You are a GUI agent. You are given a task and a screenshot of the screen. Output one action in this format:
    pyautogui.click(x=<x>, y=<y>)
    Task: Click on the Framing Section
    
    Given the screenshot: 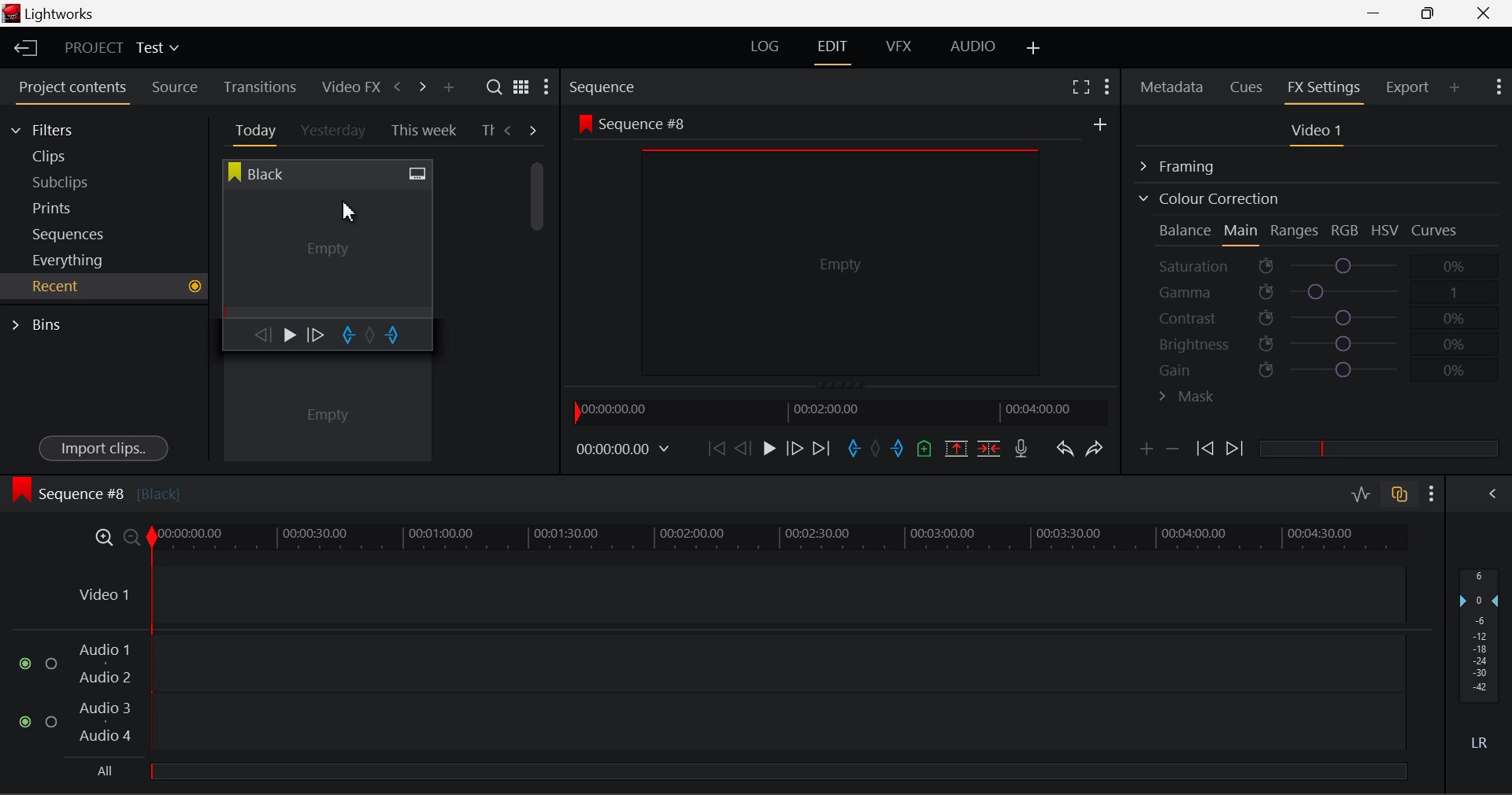 What is the action you would take?
    pyautogui.click(x=1190, y=164)
    